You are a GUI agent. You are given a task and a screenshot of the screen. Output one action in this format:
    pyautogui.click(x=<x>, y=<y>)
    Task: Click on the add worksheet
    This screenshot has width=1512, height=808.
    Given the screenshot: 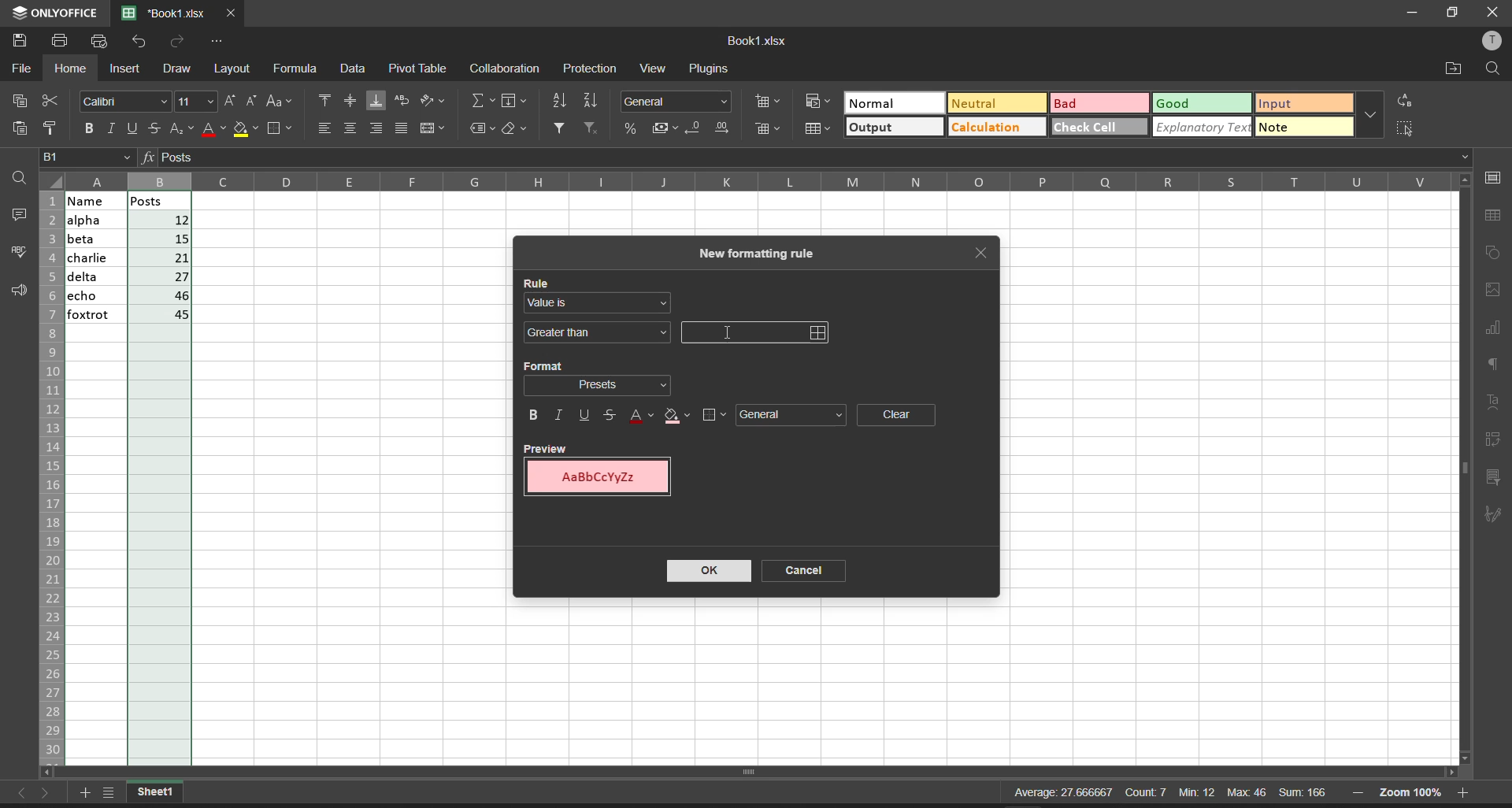 What is the action you would take?
    pyautogui.click(x=84, y=791)
    